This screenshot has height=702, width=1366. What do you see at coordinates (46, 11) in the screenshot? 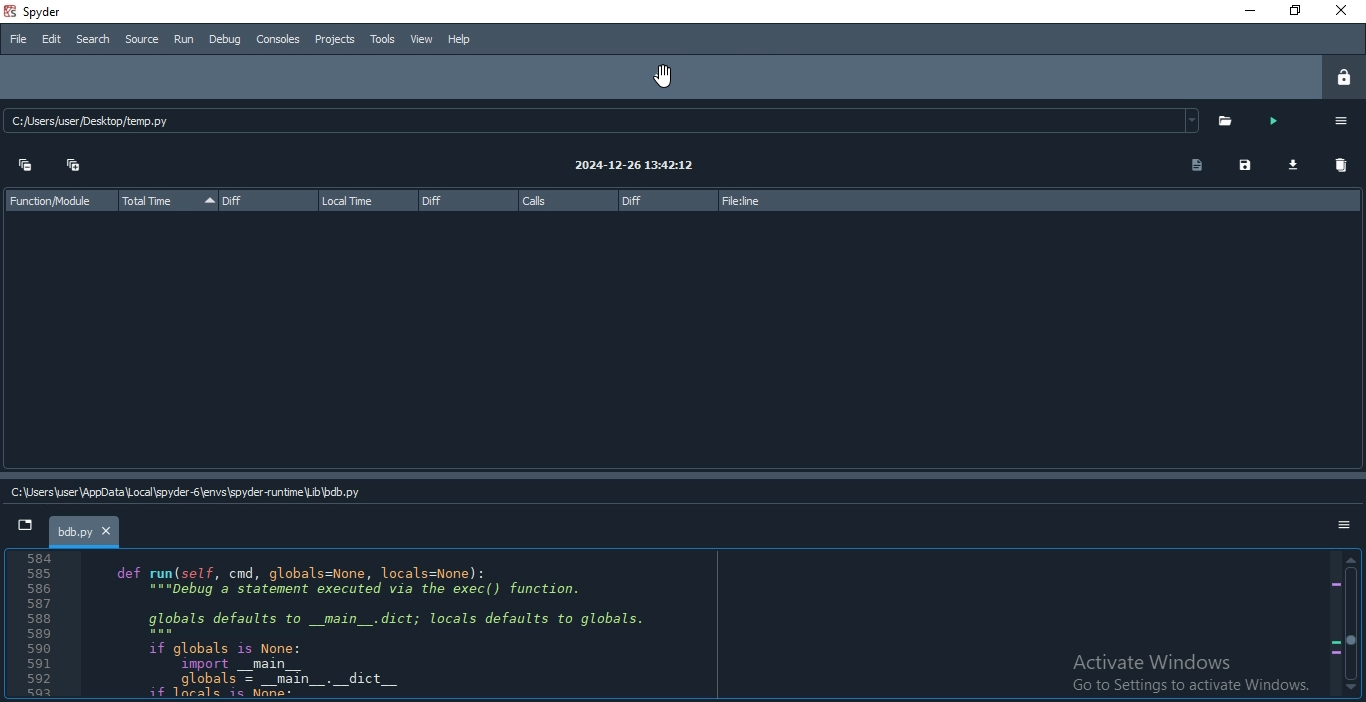
I see `spyder` at bounding box center [46, 11].